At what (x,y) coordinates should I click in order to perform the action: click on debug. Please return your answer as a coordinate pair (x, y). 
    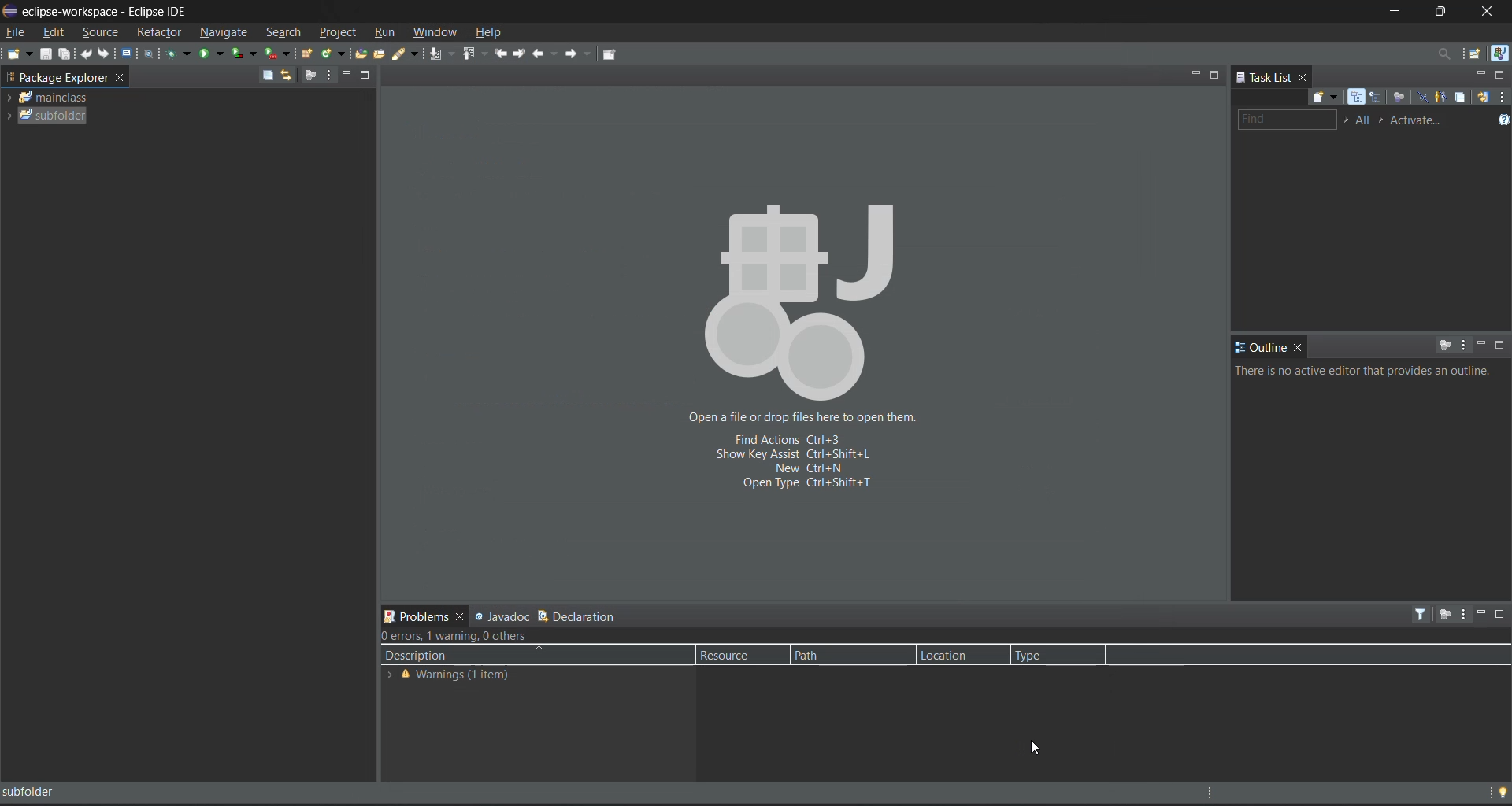
    Looking at the image, I should click on (179, 53).